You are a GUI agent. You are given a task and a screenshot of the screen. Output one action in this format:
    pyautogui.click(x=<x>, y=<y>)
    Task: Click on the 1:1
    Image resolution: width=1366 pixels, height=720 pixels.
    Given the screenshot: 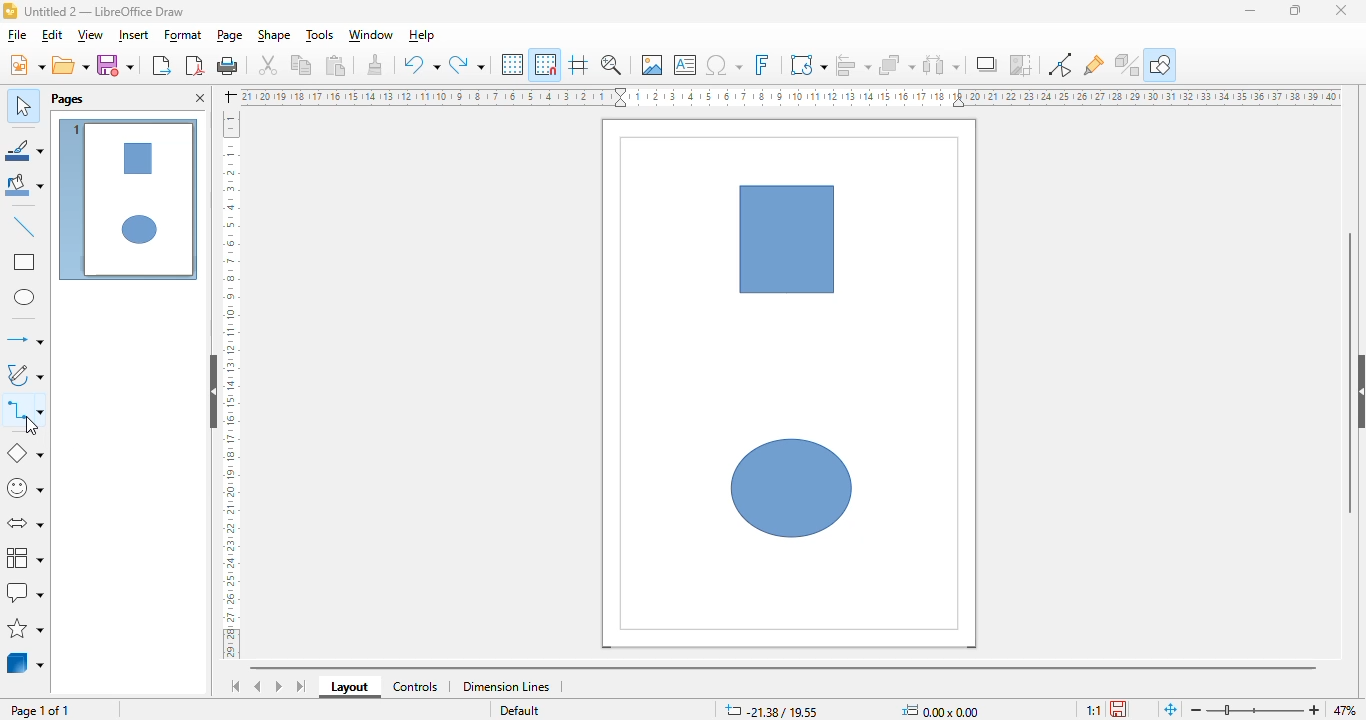 What is the action you would take?
    pyautogui.click(x=1091, y=708)
    